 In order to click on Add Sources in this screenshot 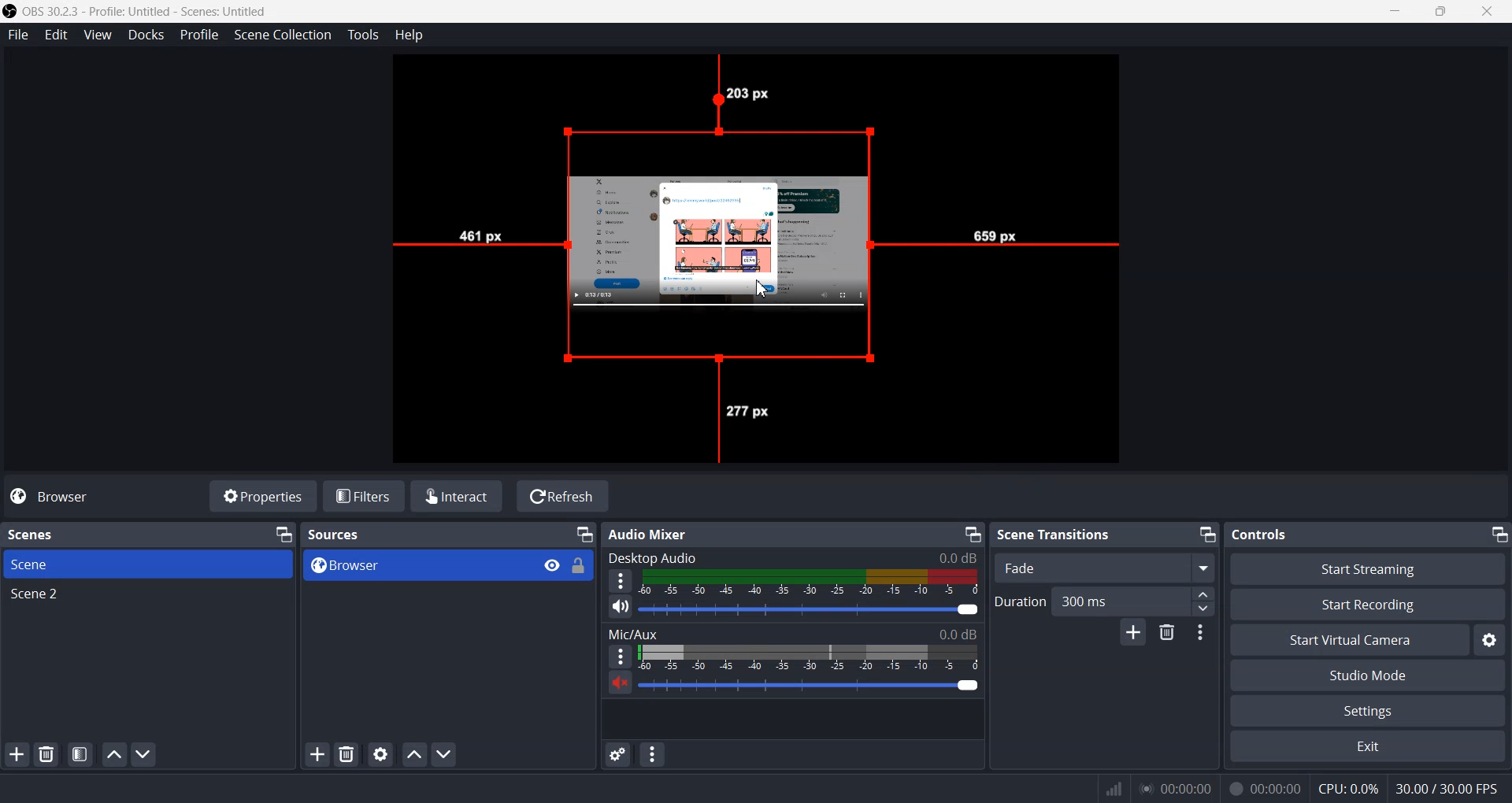, I will do `click(316, 754)`.